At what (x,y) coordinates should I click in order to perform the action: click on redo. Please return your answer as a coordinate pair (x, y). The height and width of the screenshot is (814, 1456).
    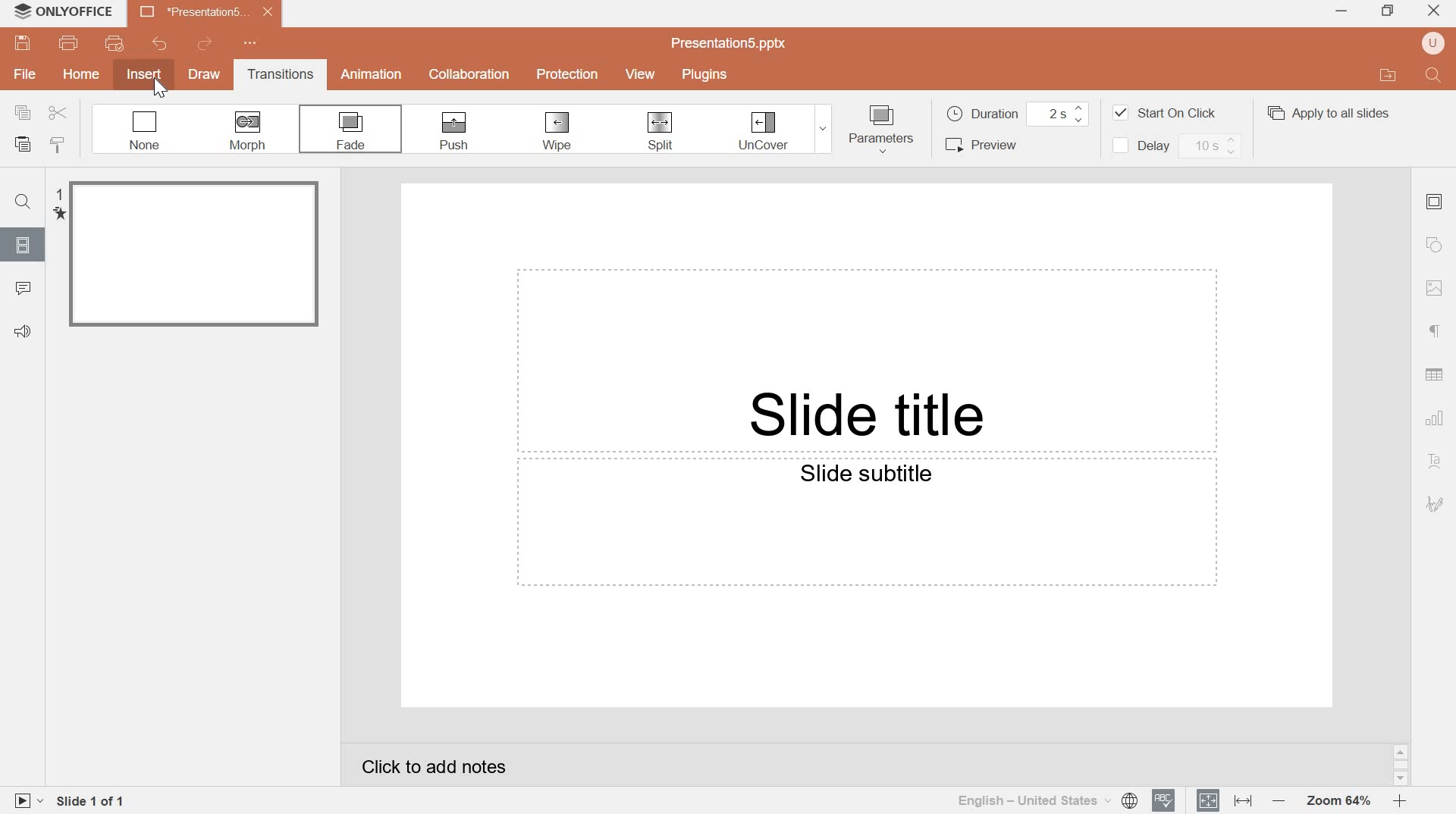
    Looking at the image, I should click on (204, 43).